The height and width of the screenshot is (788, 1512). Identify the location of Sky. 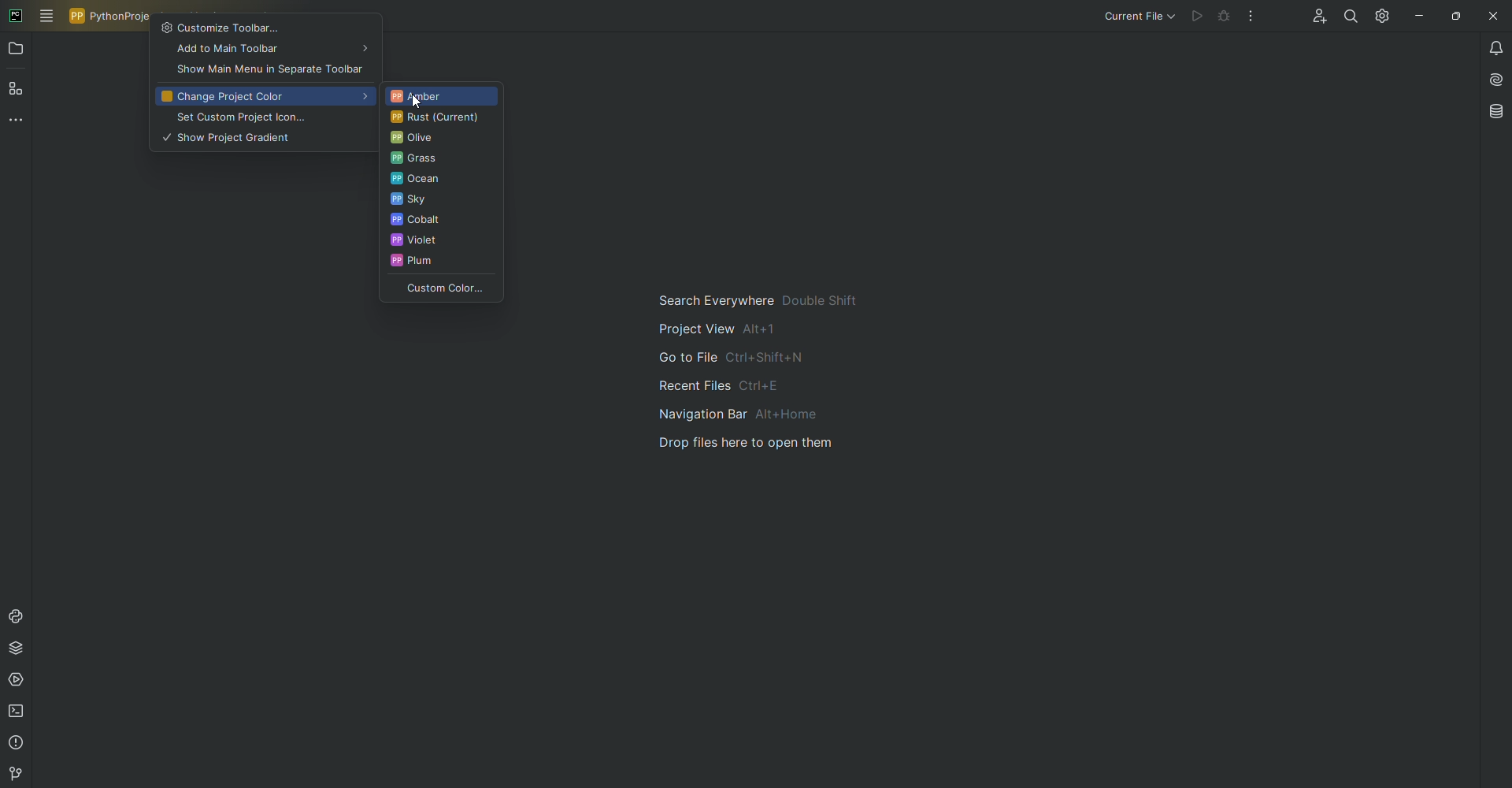
(439, 201).